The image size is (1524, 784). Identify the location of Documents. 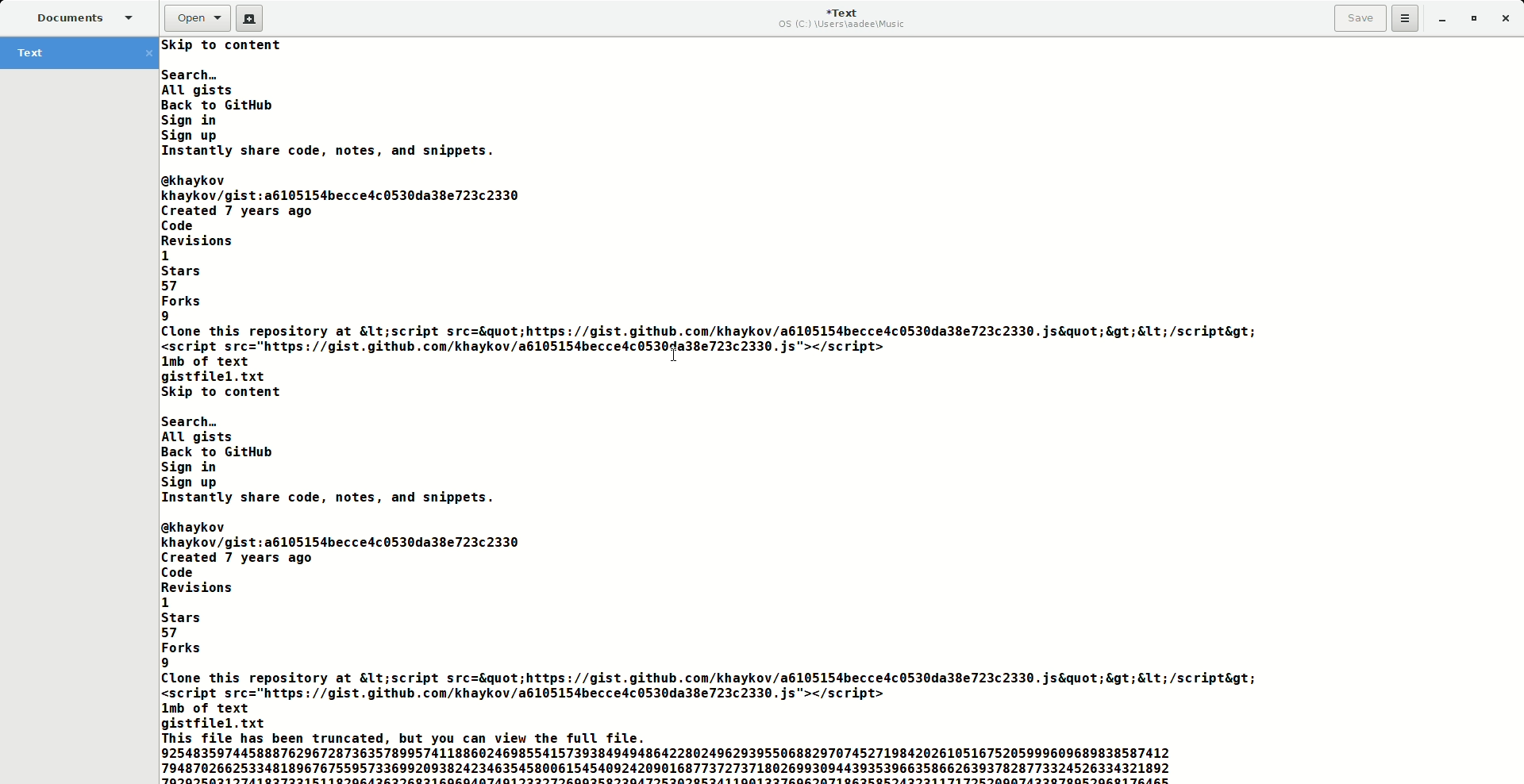
(84, 19).